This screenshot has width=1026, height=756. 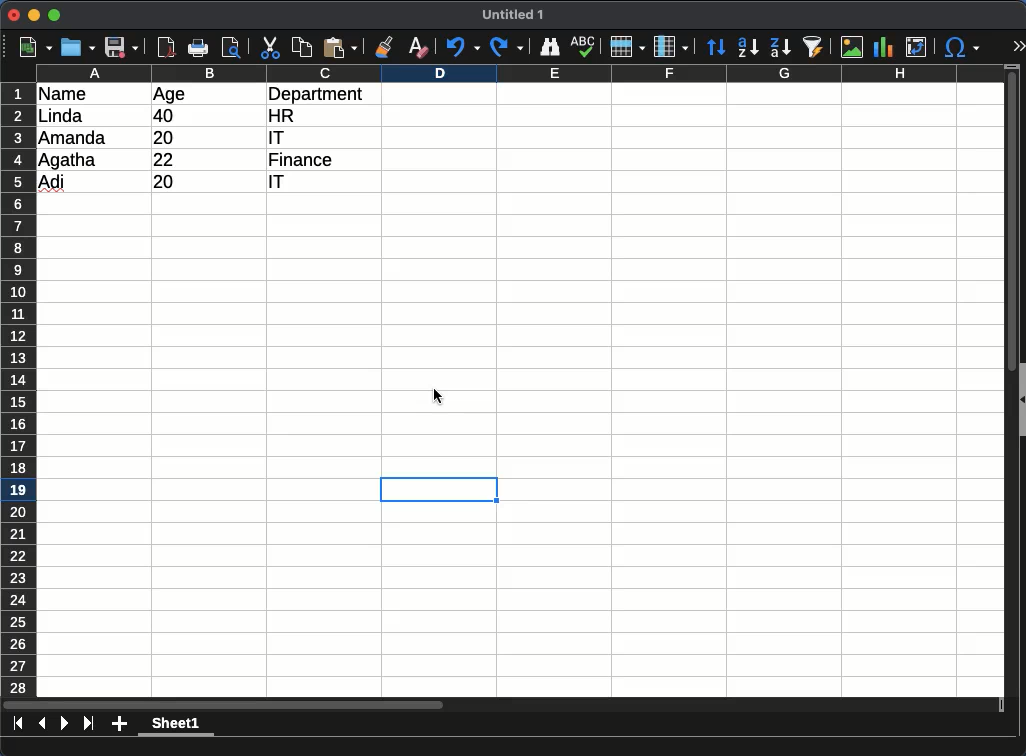 I want to click on copy, so click(x=303, y=47).